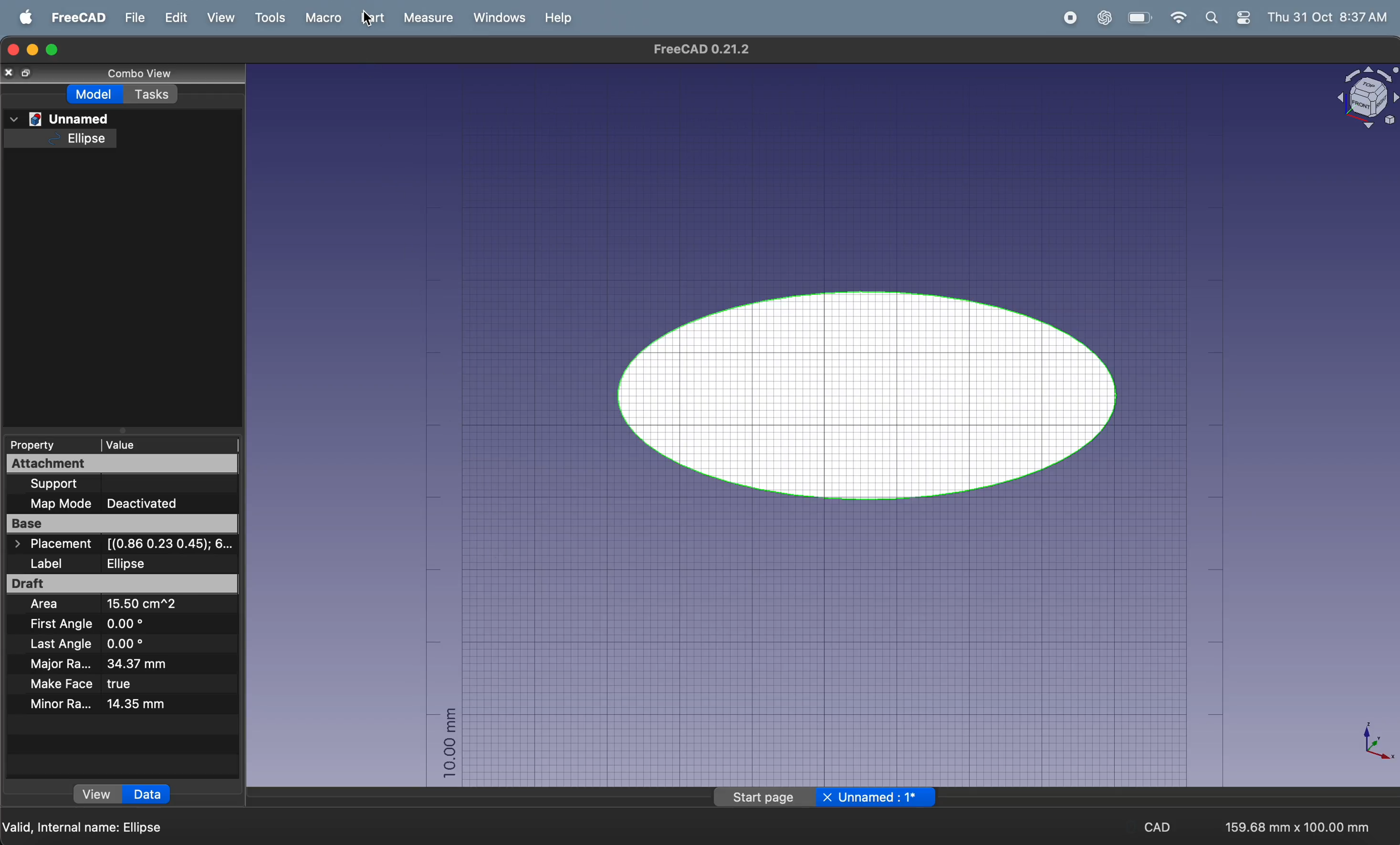 This screenshot has height=845, width=1400. What do you see at coordinates (165, 442) in the screenshot?
I see `value` at bounding box center [165, 442].